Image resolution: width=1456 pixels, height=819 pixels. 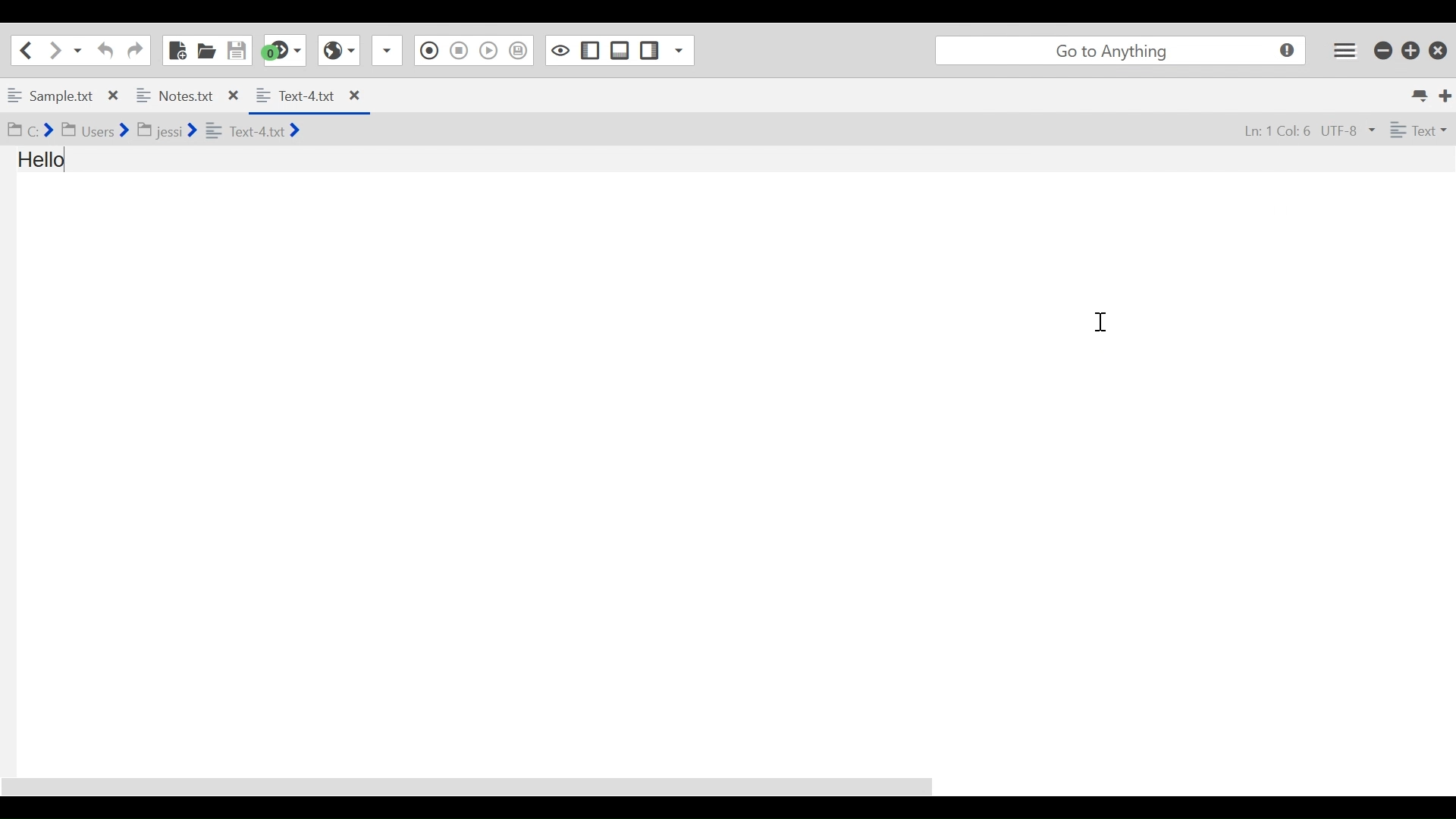 What do you see at coordinates (1278, 130) in the screenshot?
I see `File Position` at bounding box center [1278, 130].